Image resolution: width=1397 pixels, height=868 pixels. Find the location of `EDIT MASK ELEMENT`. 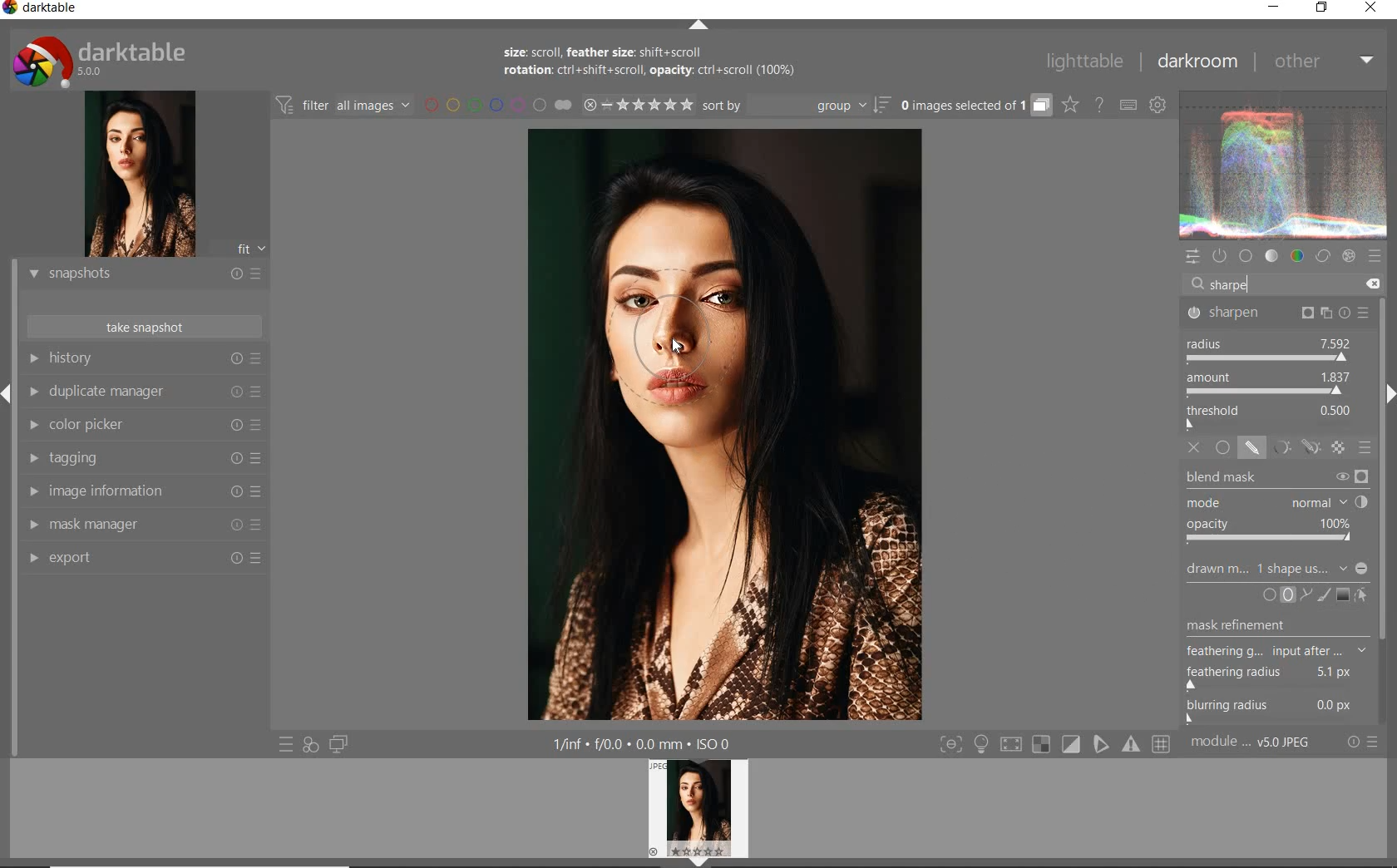

EDIT MASK ELEMENT is located at coordinates (1364, 594).